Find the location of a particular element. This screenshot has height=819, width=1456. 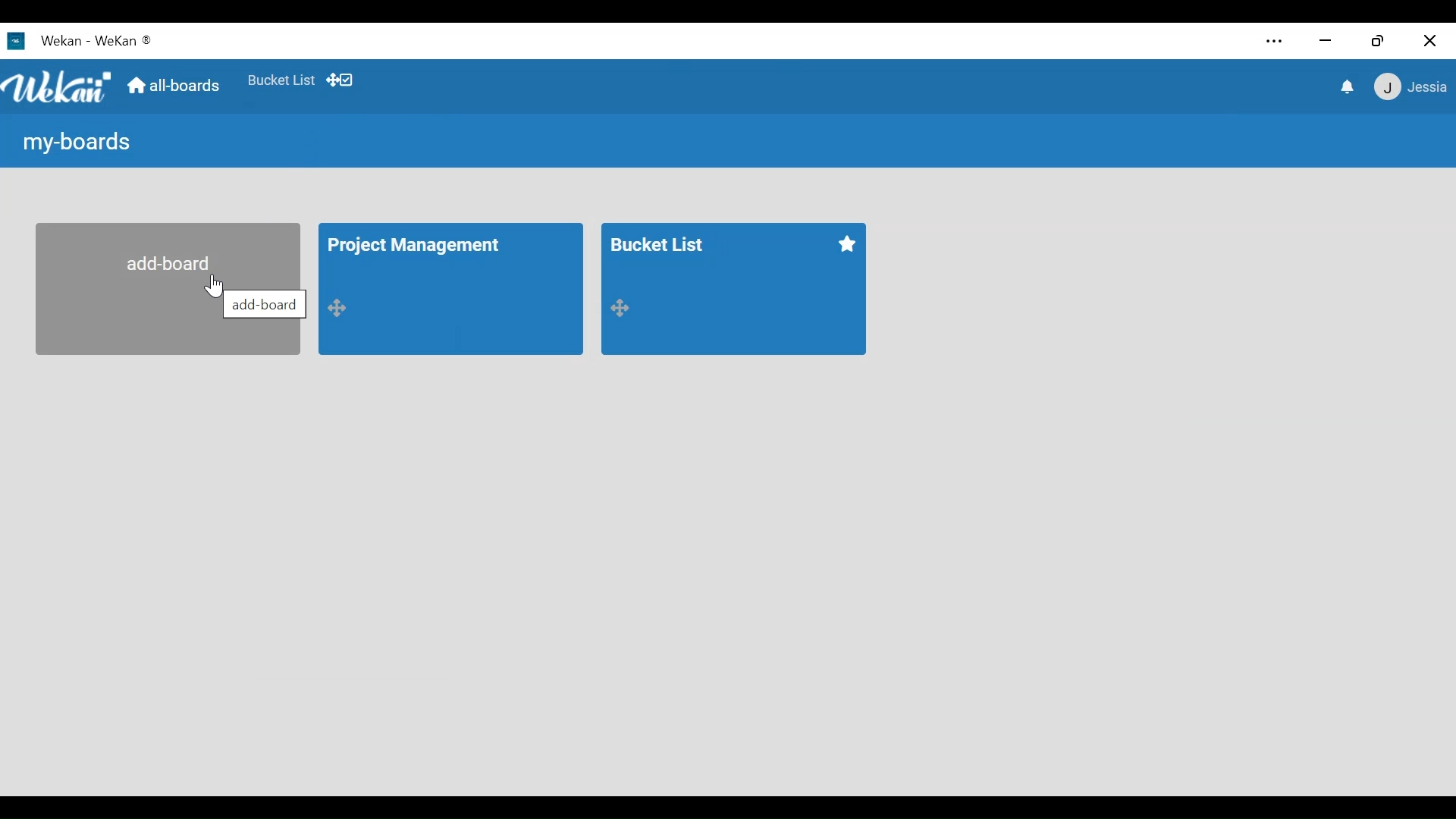

Board title is located at coordinates (420, 247).